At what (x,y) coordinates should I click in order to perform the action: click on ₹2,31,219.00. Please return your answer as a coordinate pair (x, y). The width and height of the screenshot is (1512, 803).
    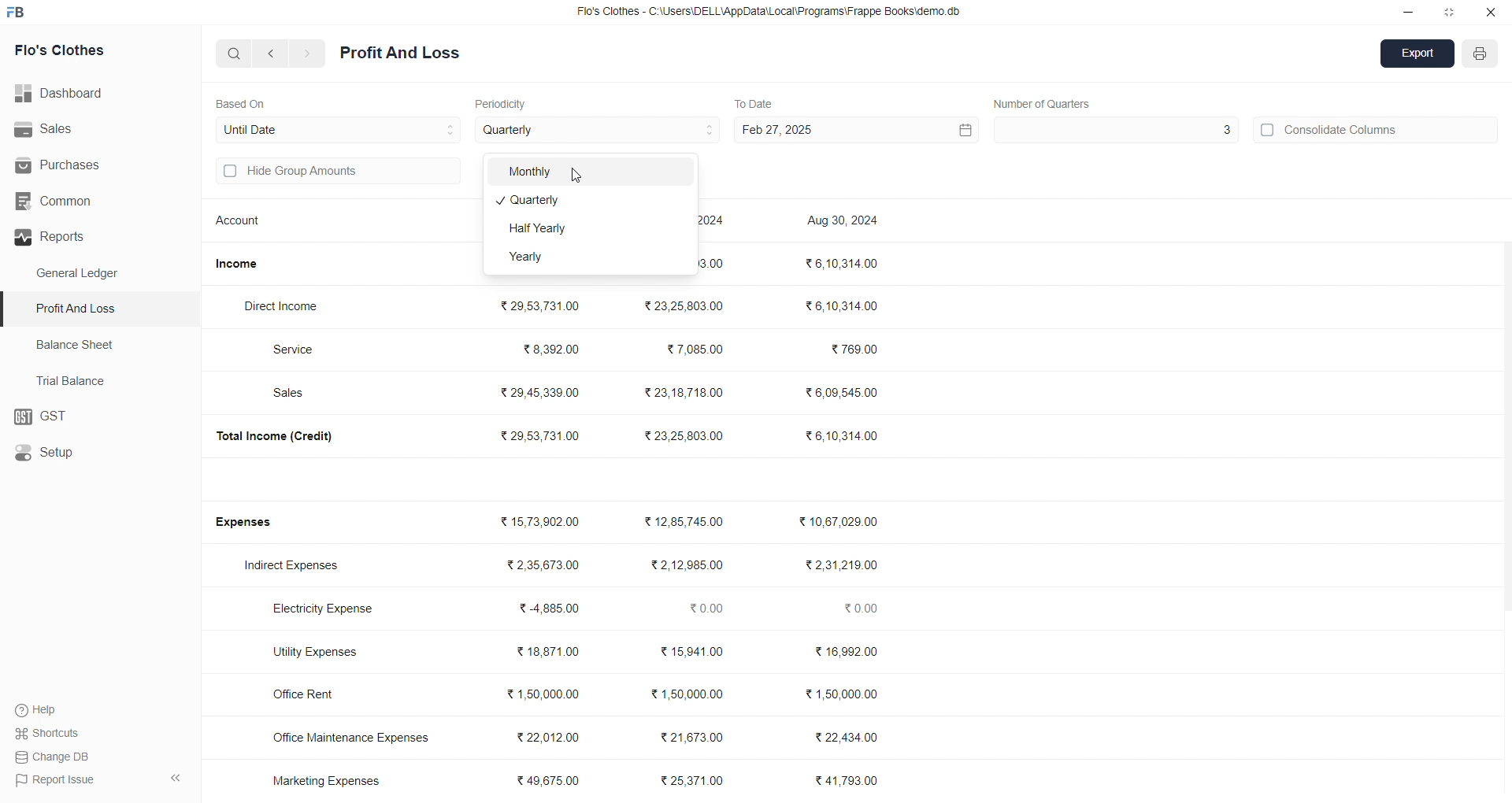
    Looking at the image, I should click on (840, 565).